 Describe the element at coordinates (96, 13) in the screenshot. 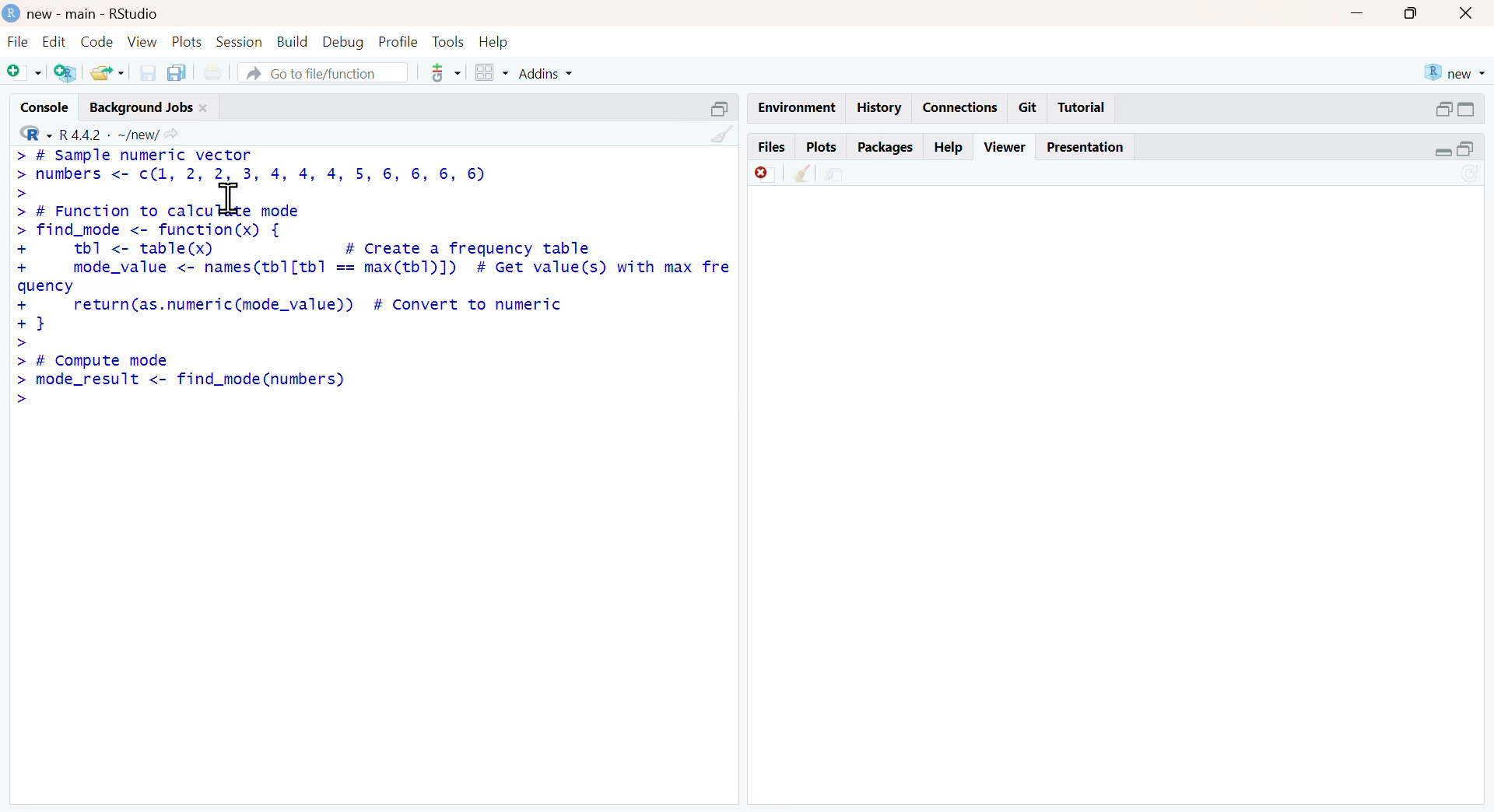

I see `new - main - RStudio` at that location.